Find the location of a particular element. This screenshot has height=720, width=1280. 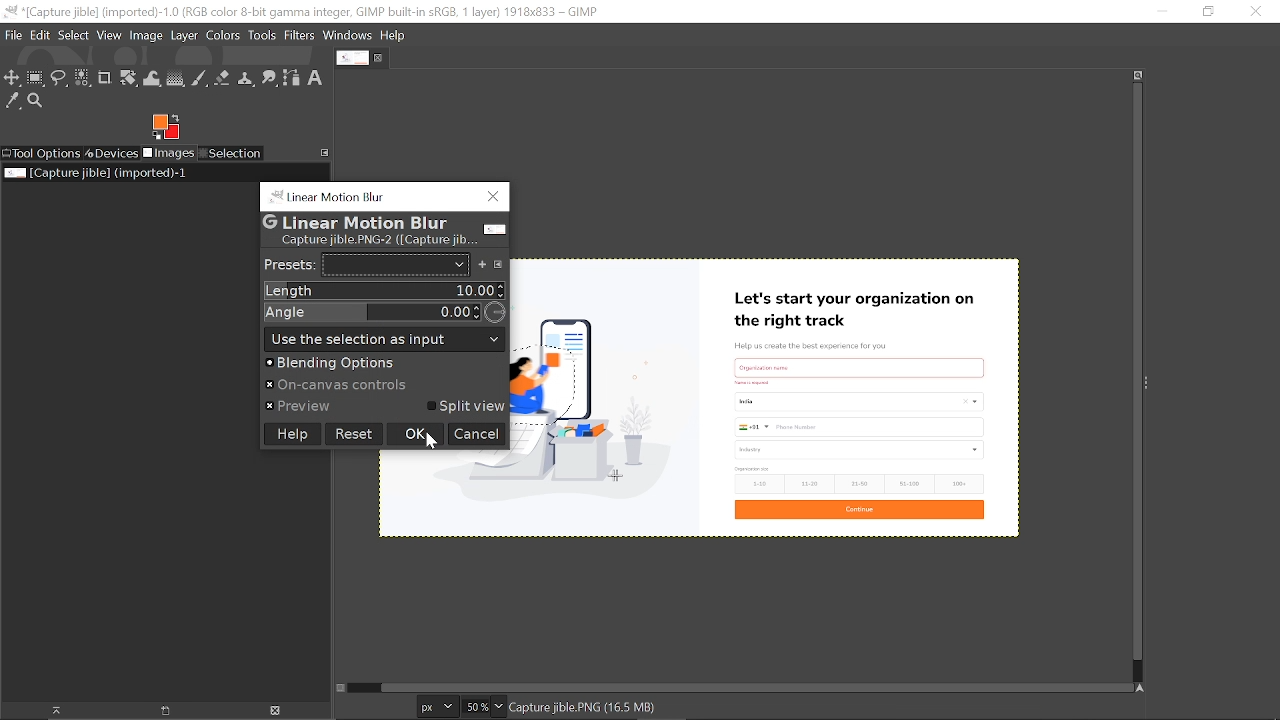

File is located at coordinates (13, 35).